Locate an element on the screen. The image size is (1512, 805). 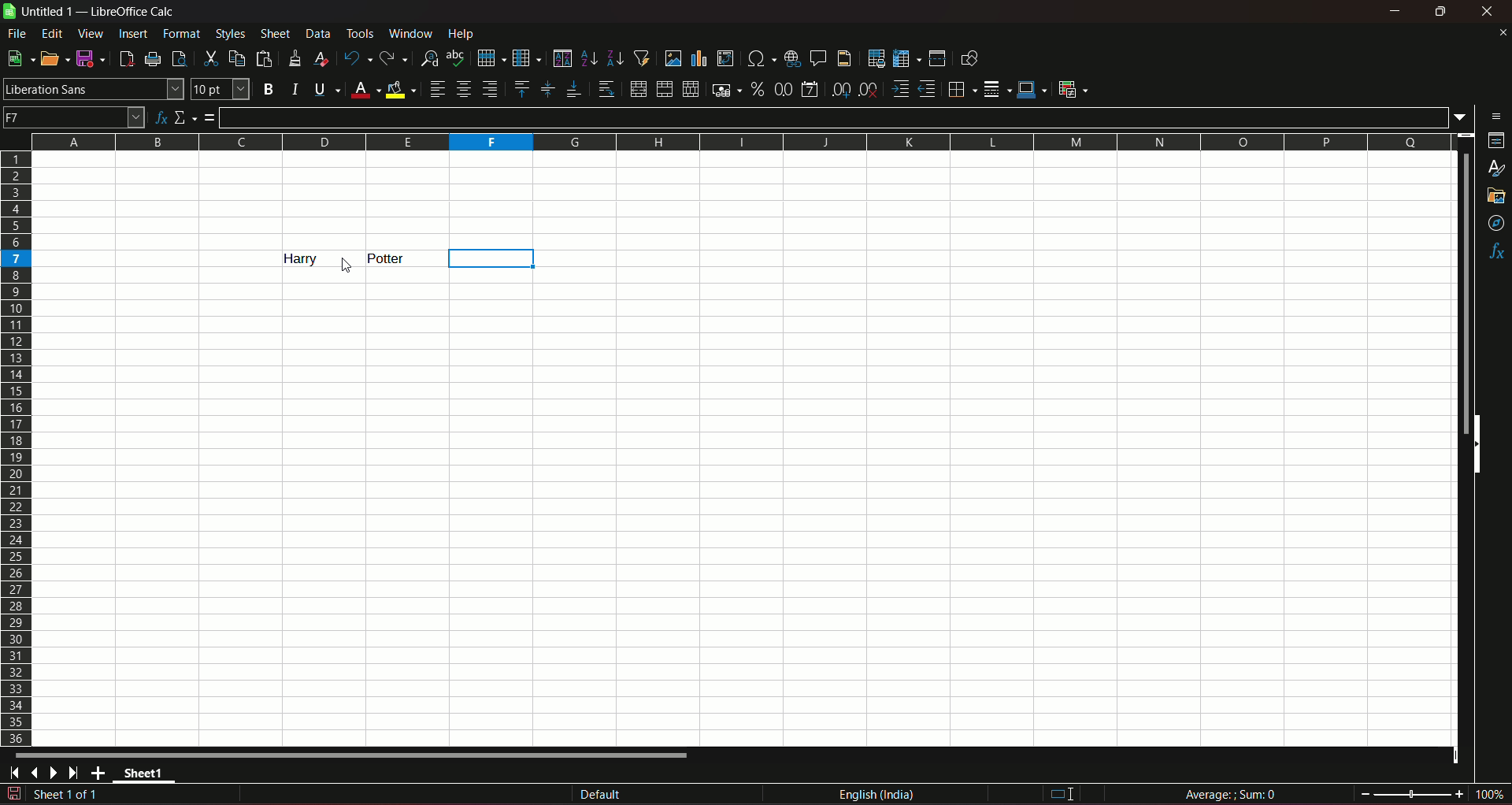
formula is located at coordinates (210, 117).